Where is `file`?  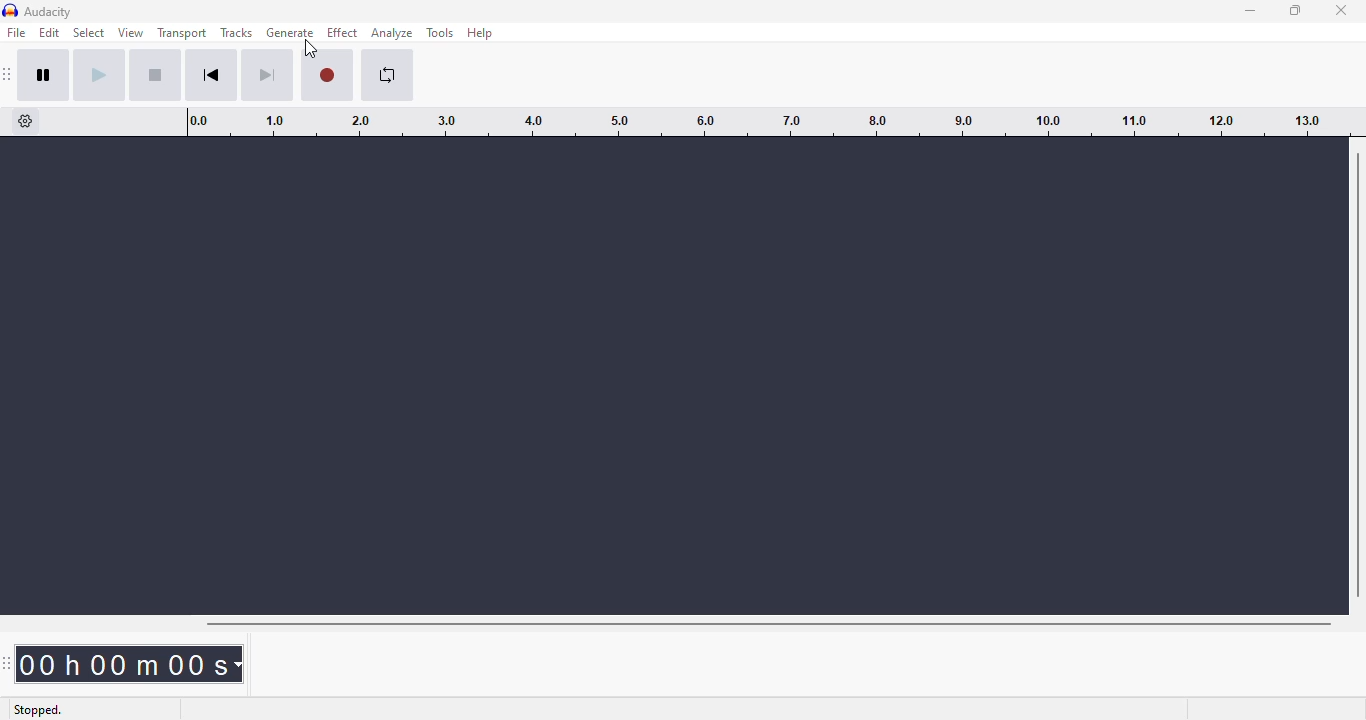 file is located at coordinates (16, 31).